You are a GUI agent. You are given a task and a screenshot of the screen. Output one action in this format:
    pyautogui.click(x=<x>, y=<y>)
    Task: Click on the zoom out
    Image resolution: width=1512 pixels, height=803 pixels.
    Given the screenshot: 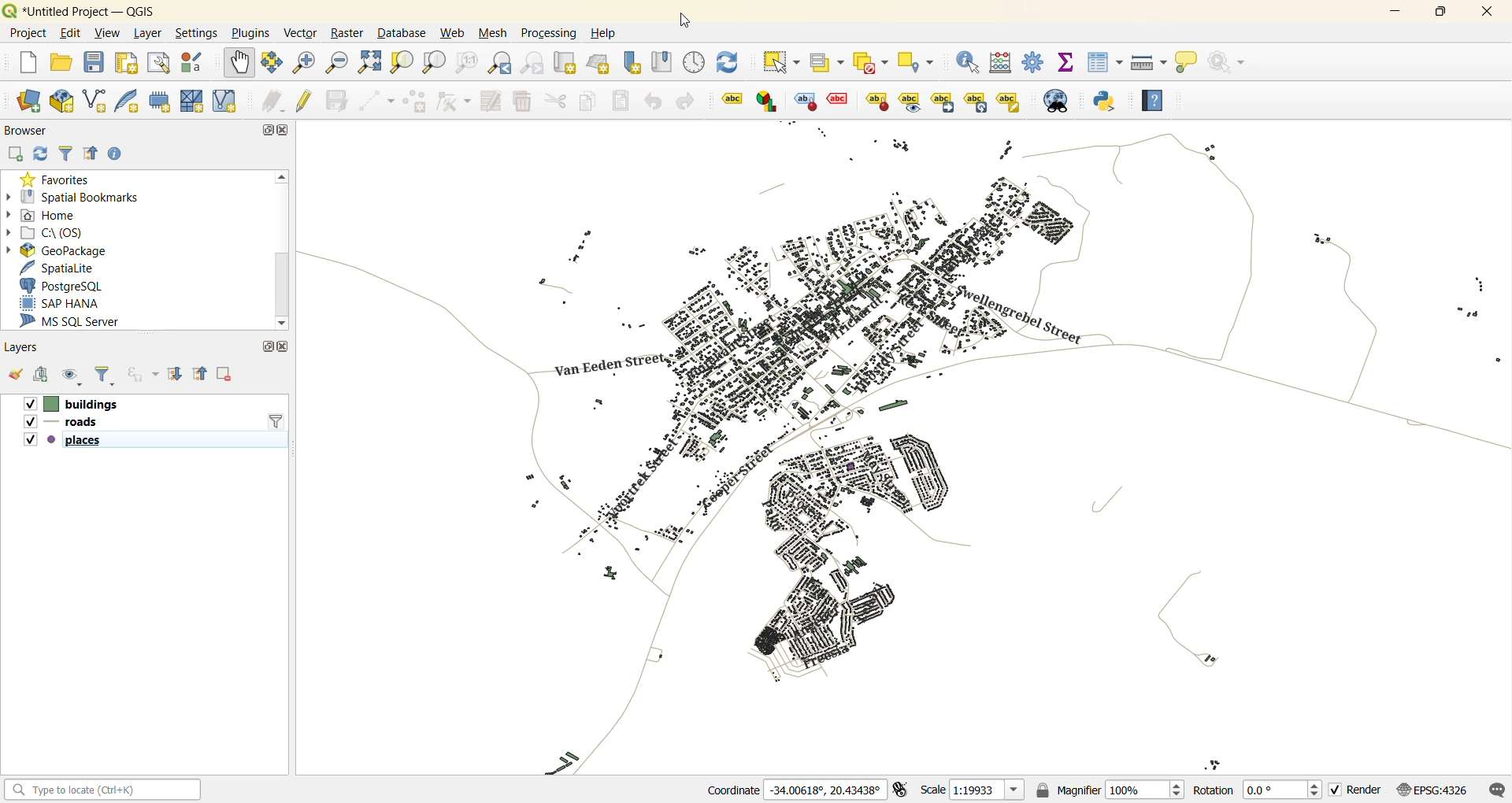 What is the action you would take?
    pyautogui.click(x=337, y=64)
    